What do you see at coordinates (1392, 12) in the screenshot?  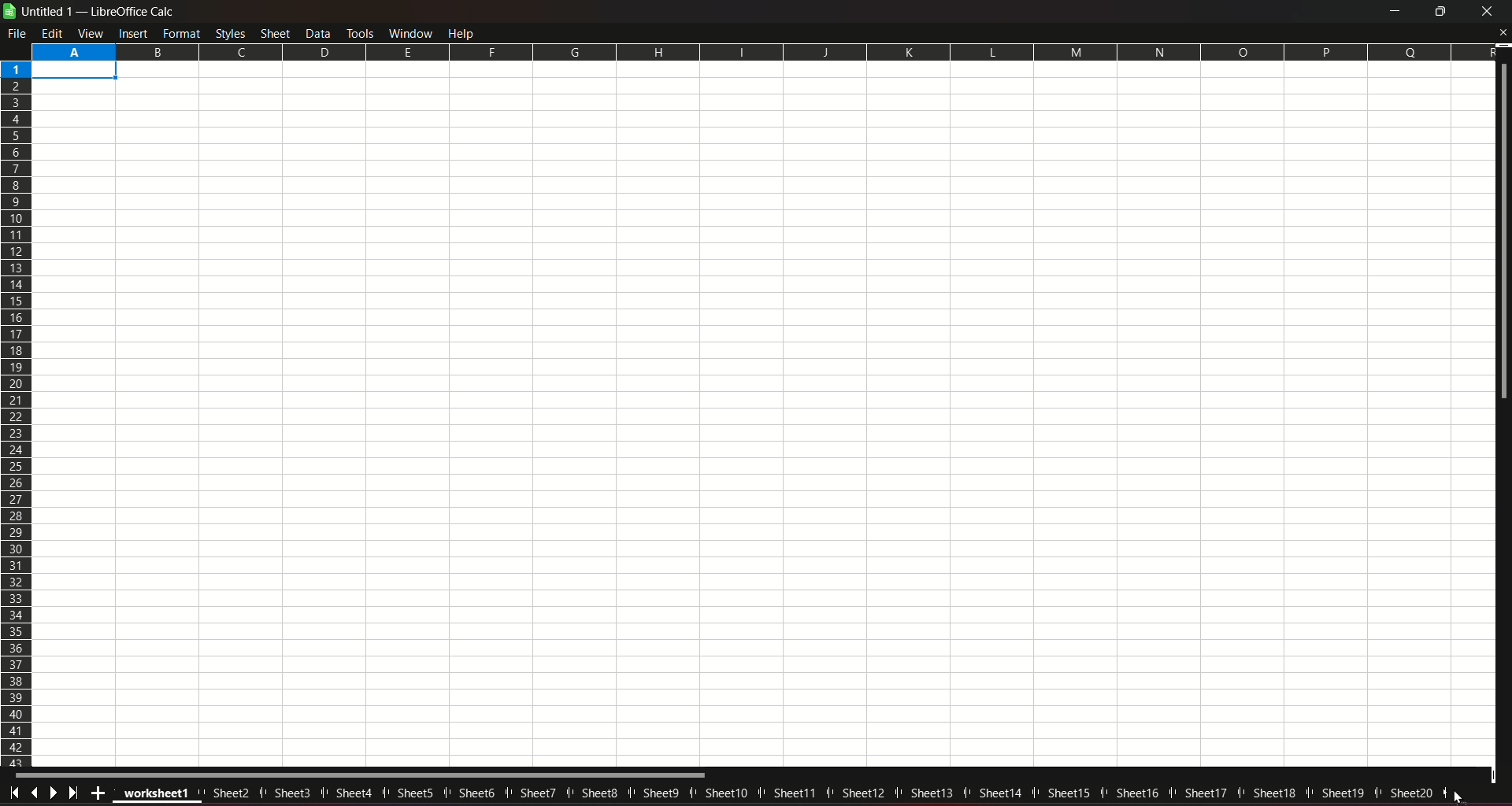 I see `Minimize` at bounding box center [1392, 12].